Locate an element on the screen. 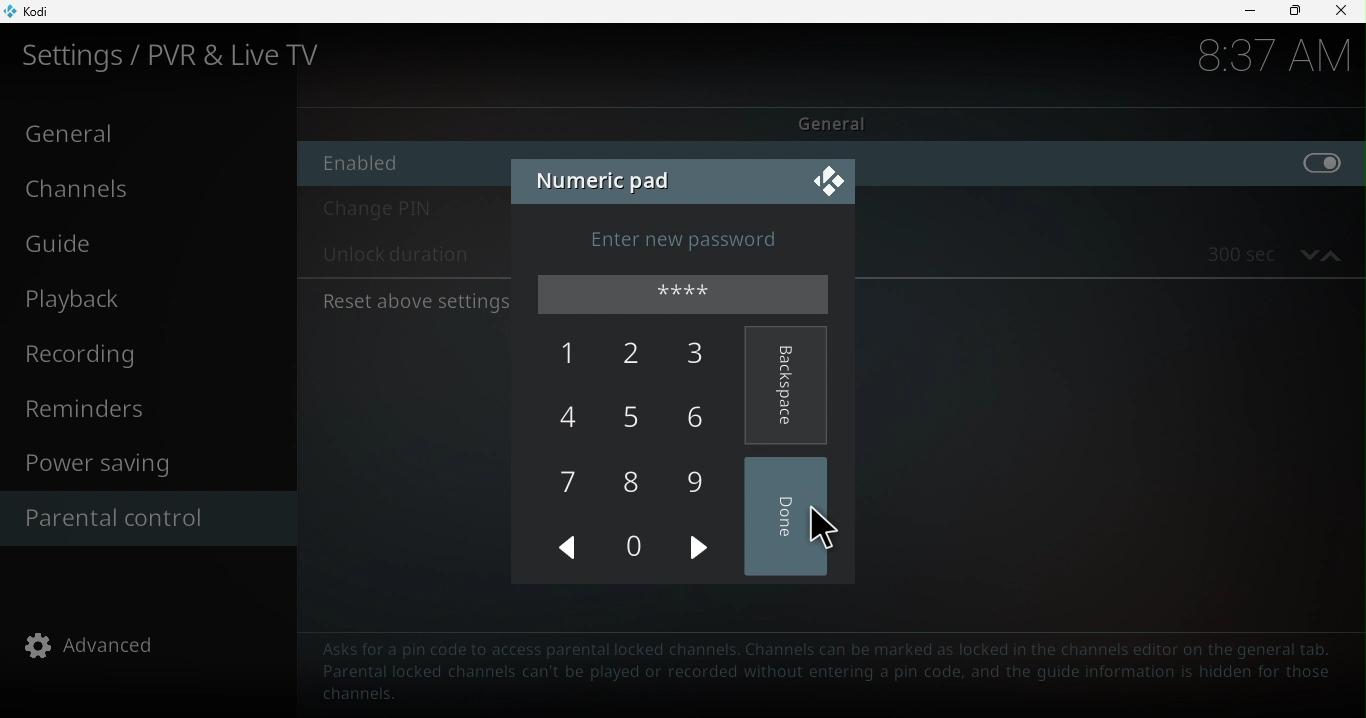  Parental control is located at coordinates (142, 517).